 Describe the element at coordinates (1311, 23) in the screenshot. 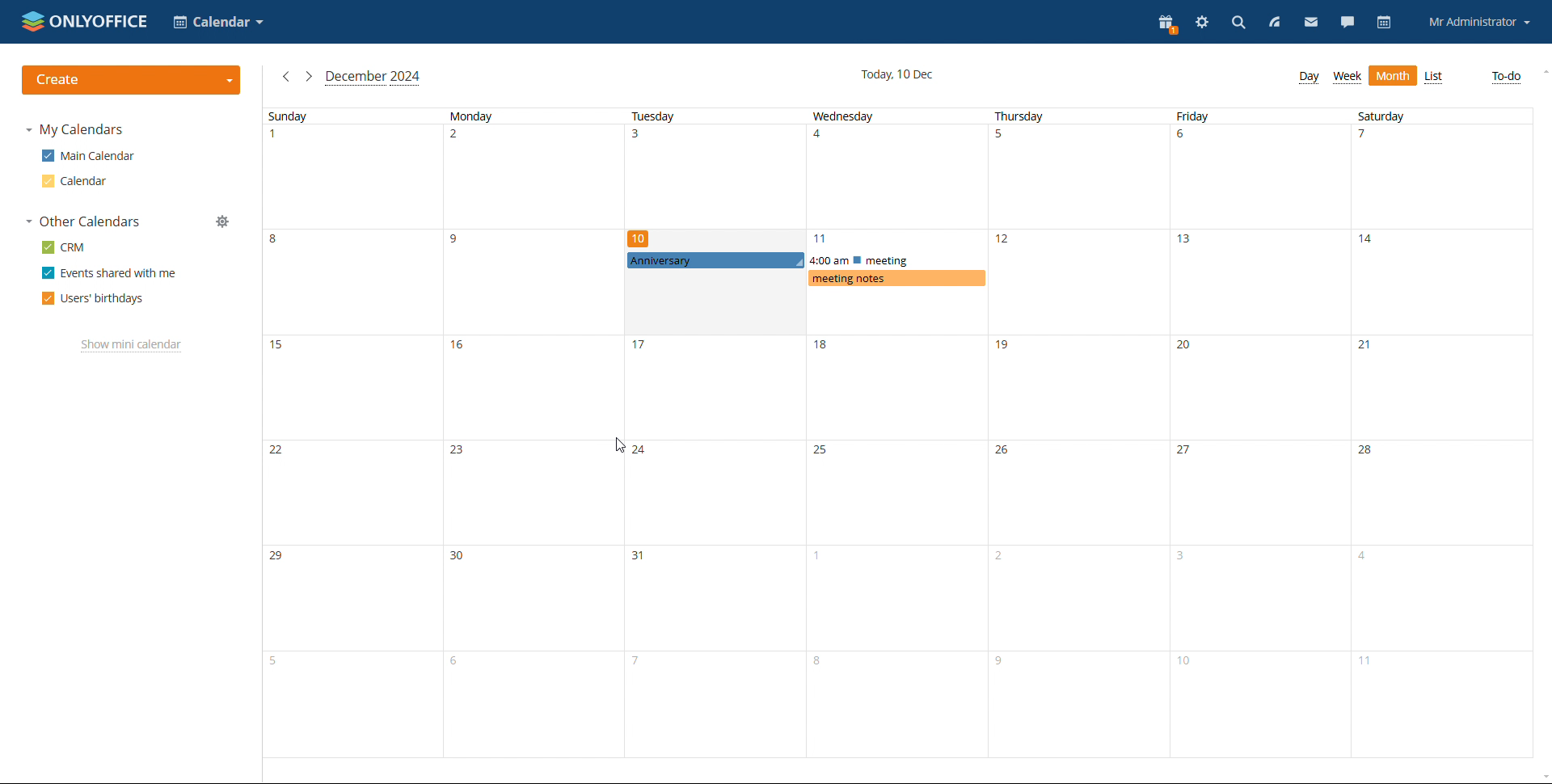

I see `mail` at that location.